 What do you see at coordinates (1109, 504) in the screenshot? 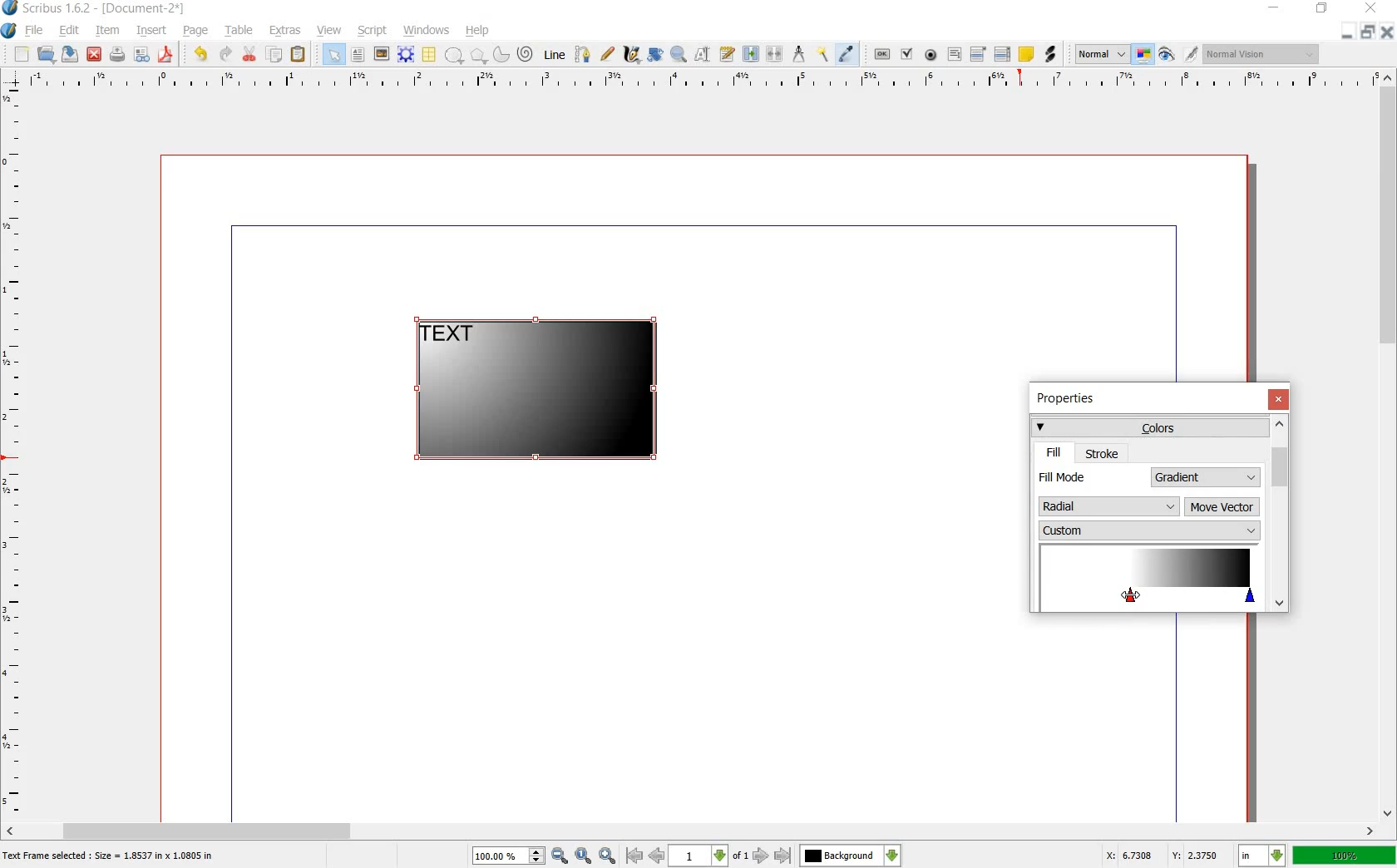
I see `radial` at bounding box center [1109, 504].